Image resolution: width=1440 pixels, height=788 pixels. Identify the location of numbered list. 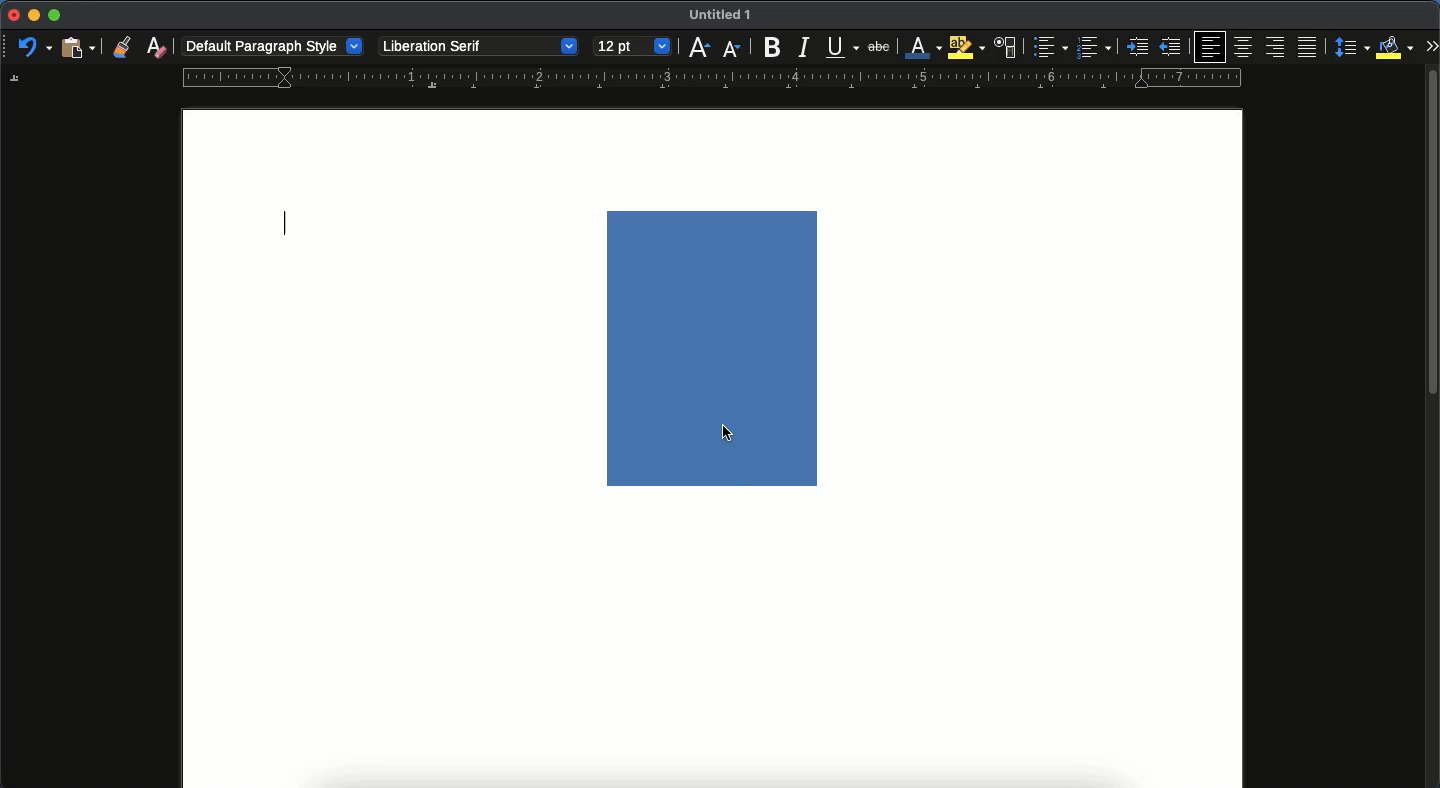
(1094, 49).